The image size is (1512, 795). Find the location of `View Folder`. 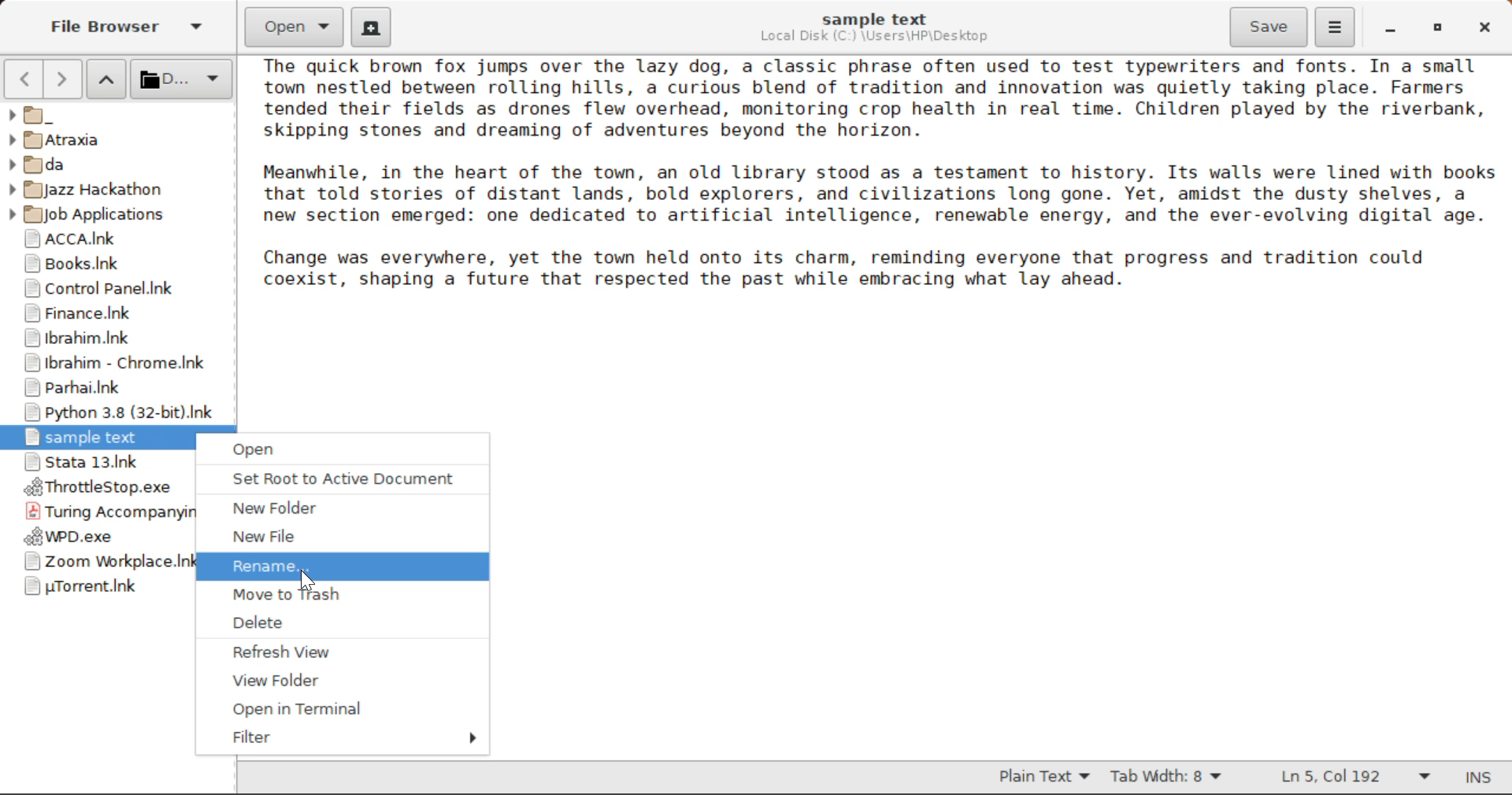

View Folder is located at coordinates (340, 682).